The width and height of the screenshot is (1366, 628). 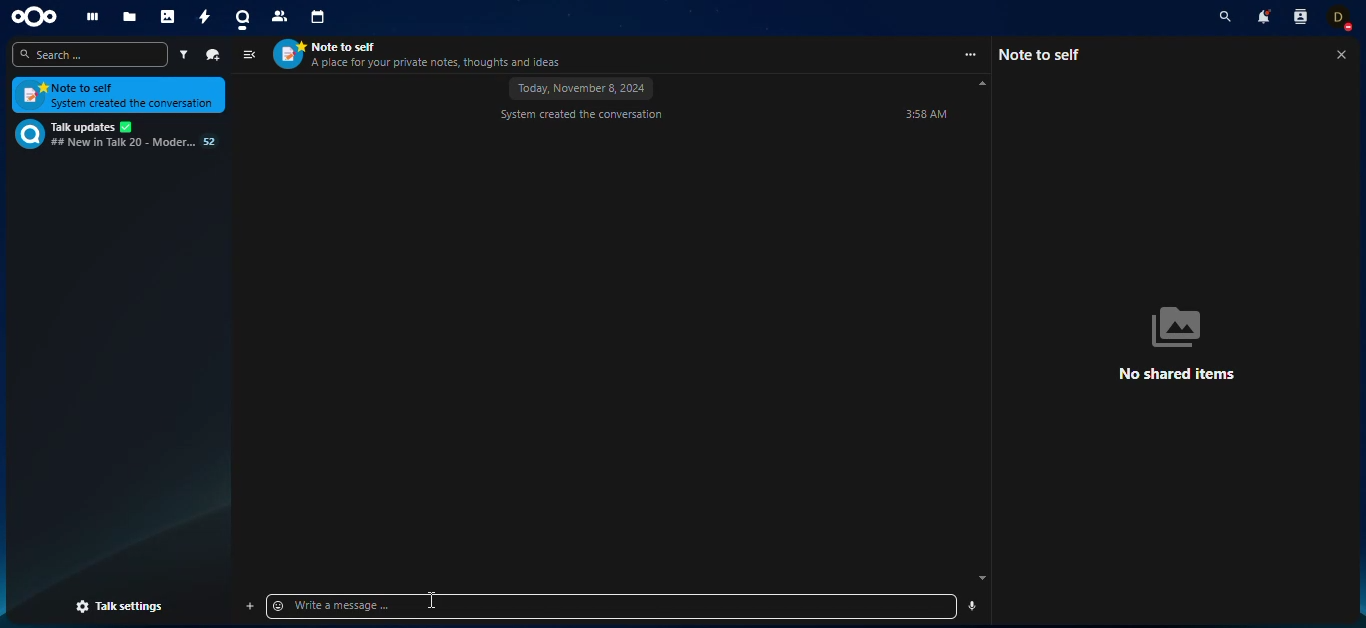 I want to click on search, so click(x=1221, y=17).